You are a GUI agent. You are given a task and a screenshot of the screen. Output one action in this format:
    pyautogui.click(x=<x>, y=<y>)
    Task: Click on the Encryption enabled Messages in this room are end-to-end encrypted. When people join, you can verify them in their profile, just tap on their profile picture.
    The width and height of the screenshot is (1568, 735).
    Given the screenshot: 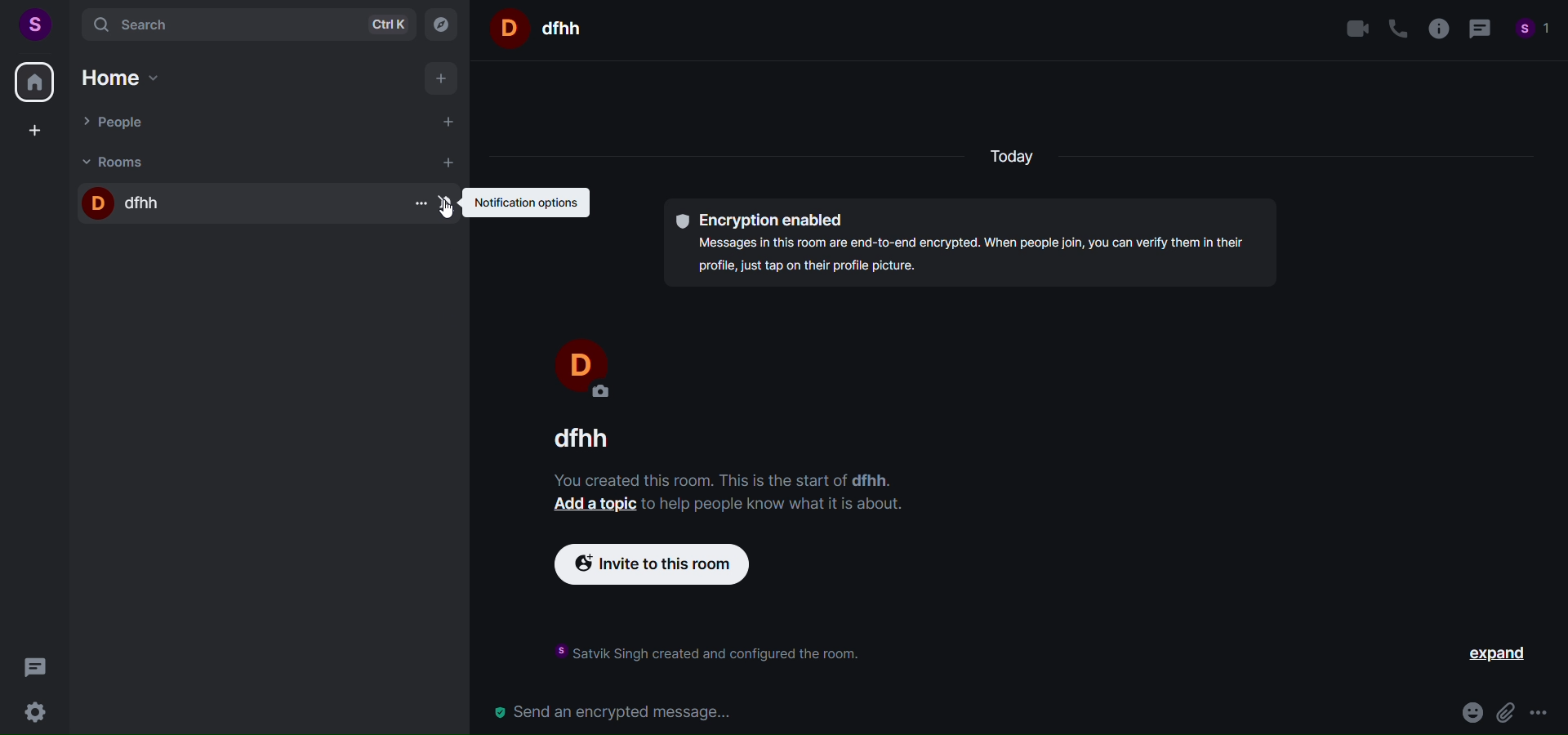 What is the action you would take?
    pyautogui.click(x=970, y=238)
    